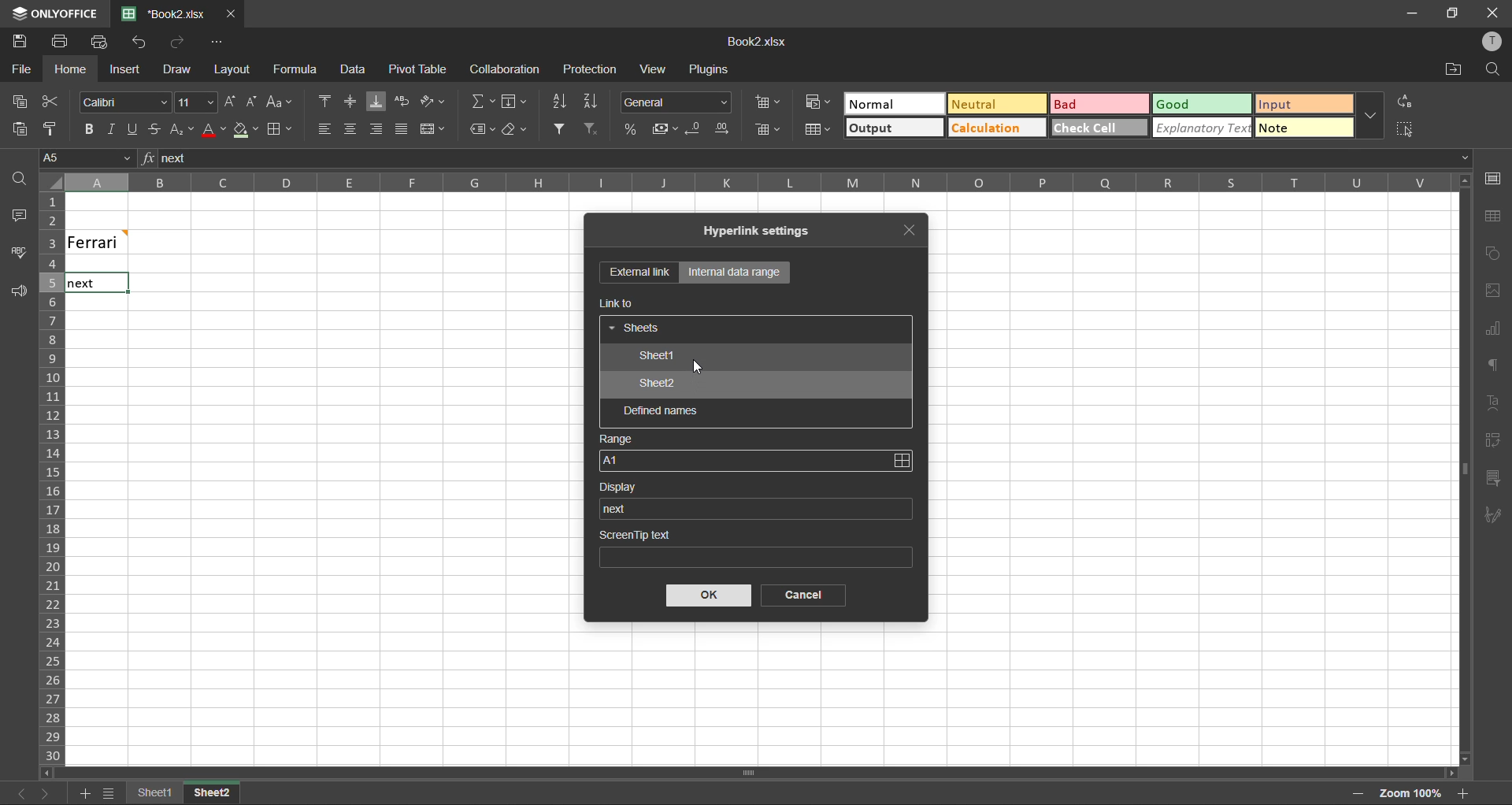 The image size is (1512, 805). What do you see at coordinates (1492, 478) in the screenshot?
I see `slicer` at bounding box center [1492, 478].